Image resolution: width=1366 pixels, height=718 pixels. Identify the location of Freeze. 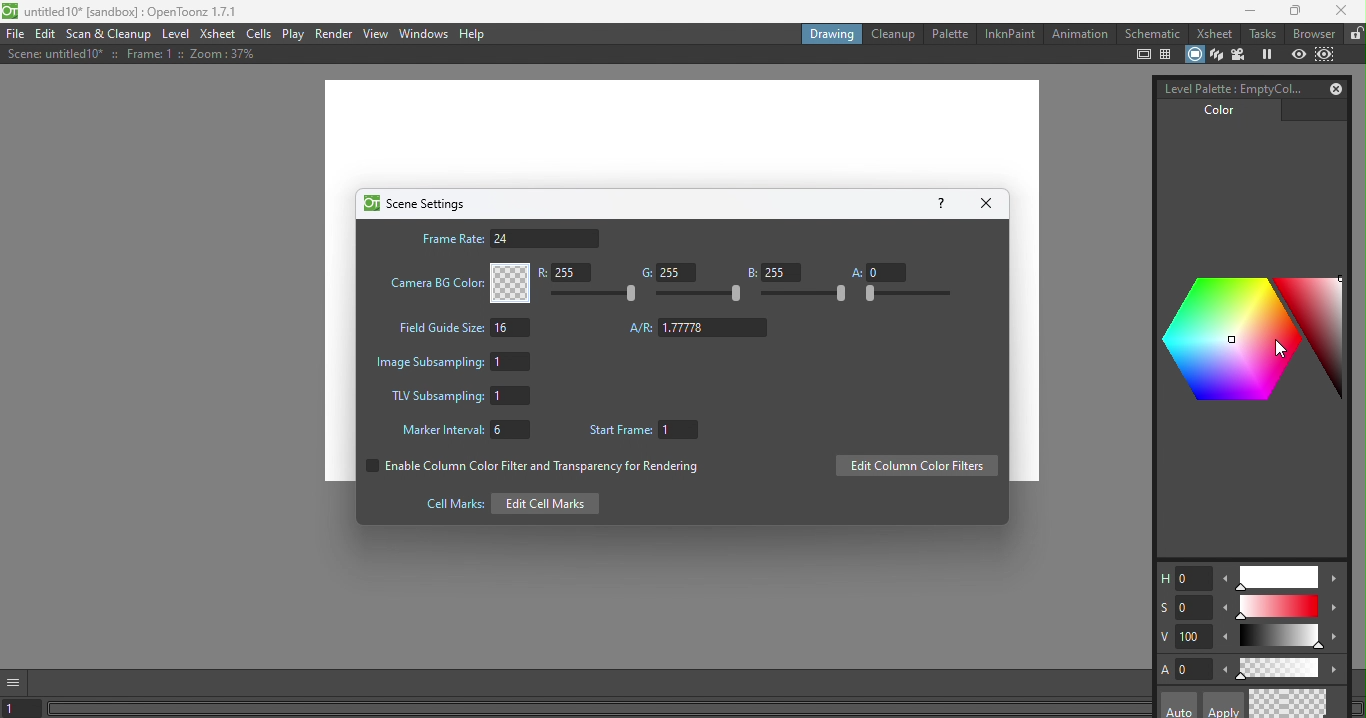
(1267, 55).